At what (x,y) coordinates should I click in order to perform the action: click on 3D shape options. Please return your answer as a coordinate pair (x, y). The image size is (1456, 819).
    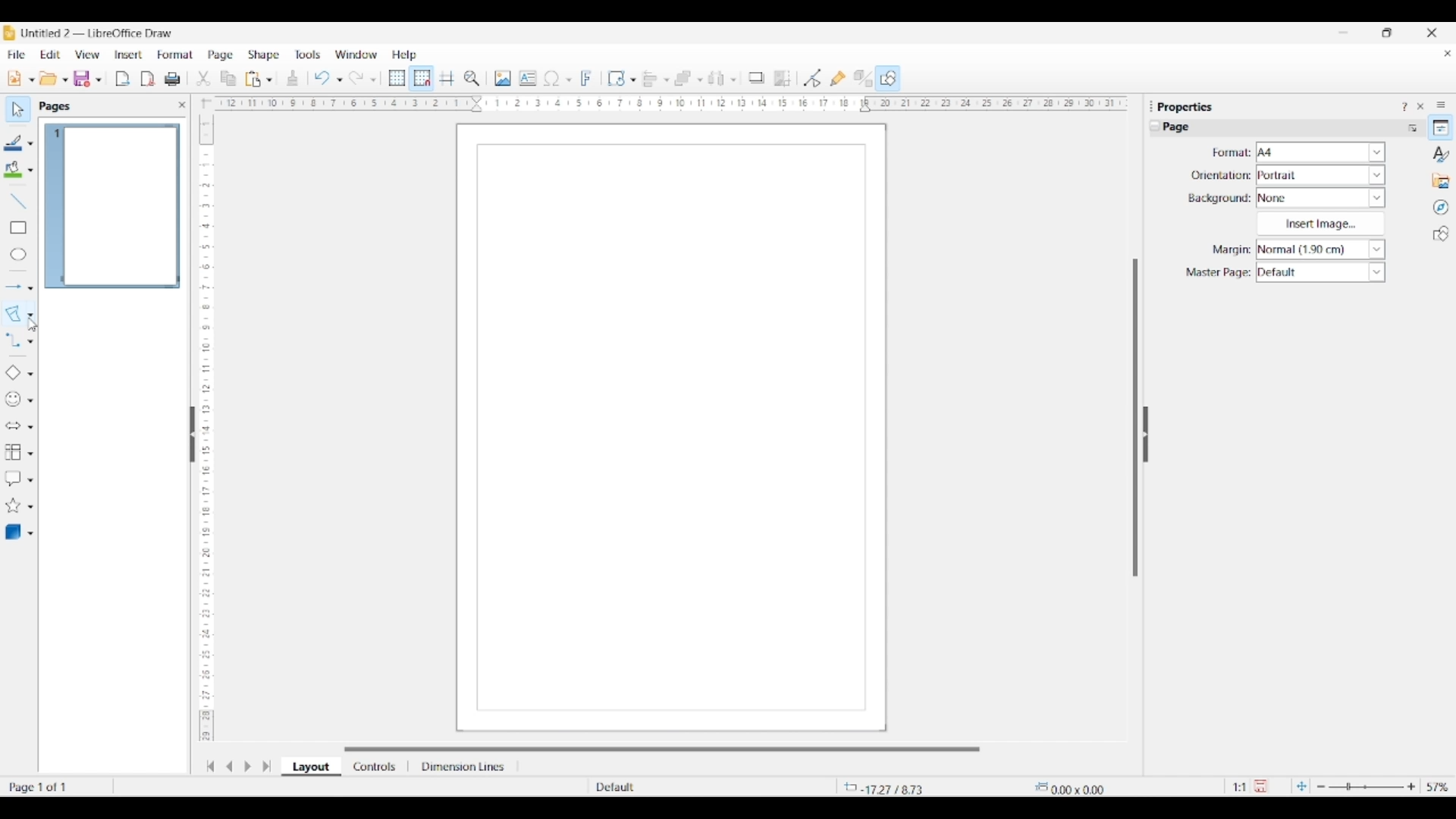
    Looking at the image, I should click on (30, 534).